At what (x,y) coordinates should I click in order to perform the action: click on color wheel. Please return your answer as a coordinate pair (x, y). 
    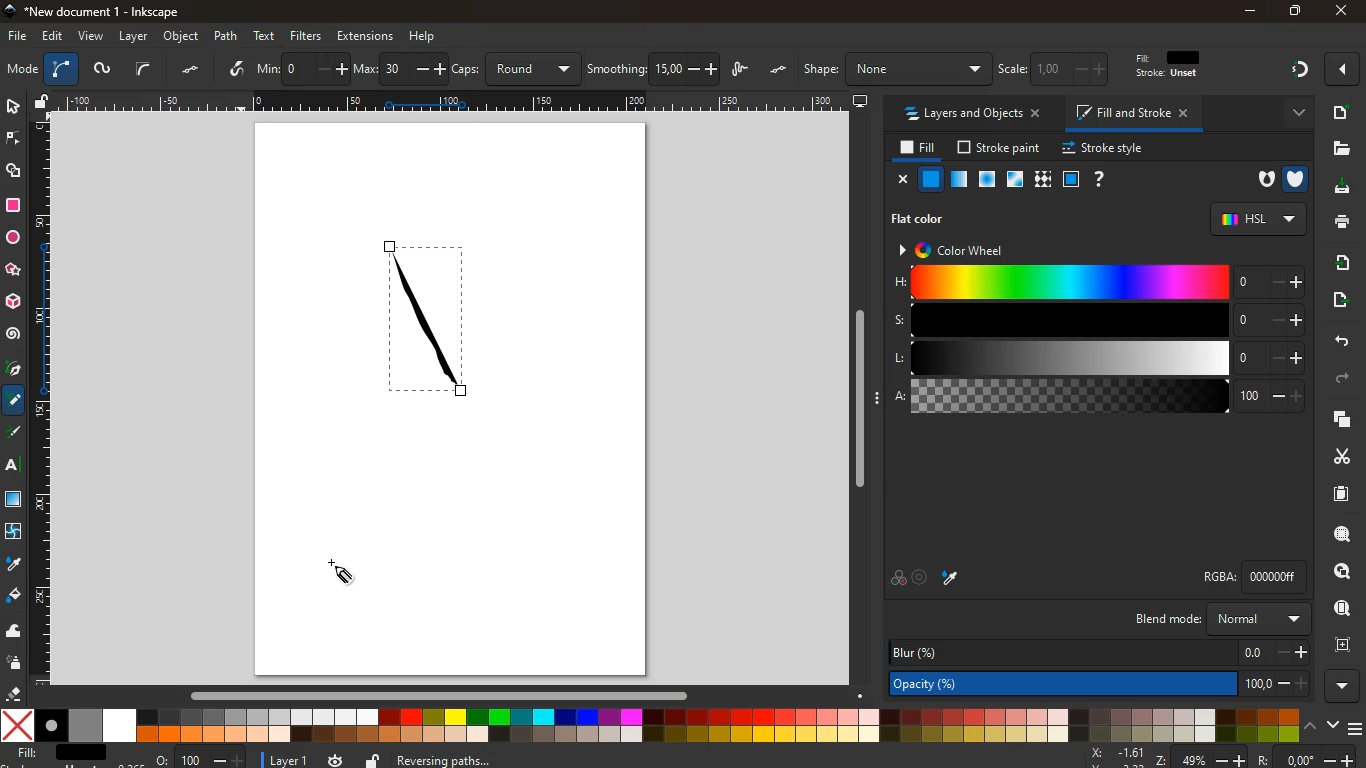
    Looking at the image, I should click on (966, 251).